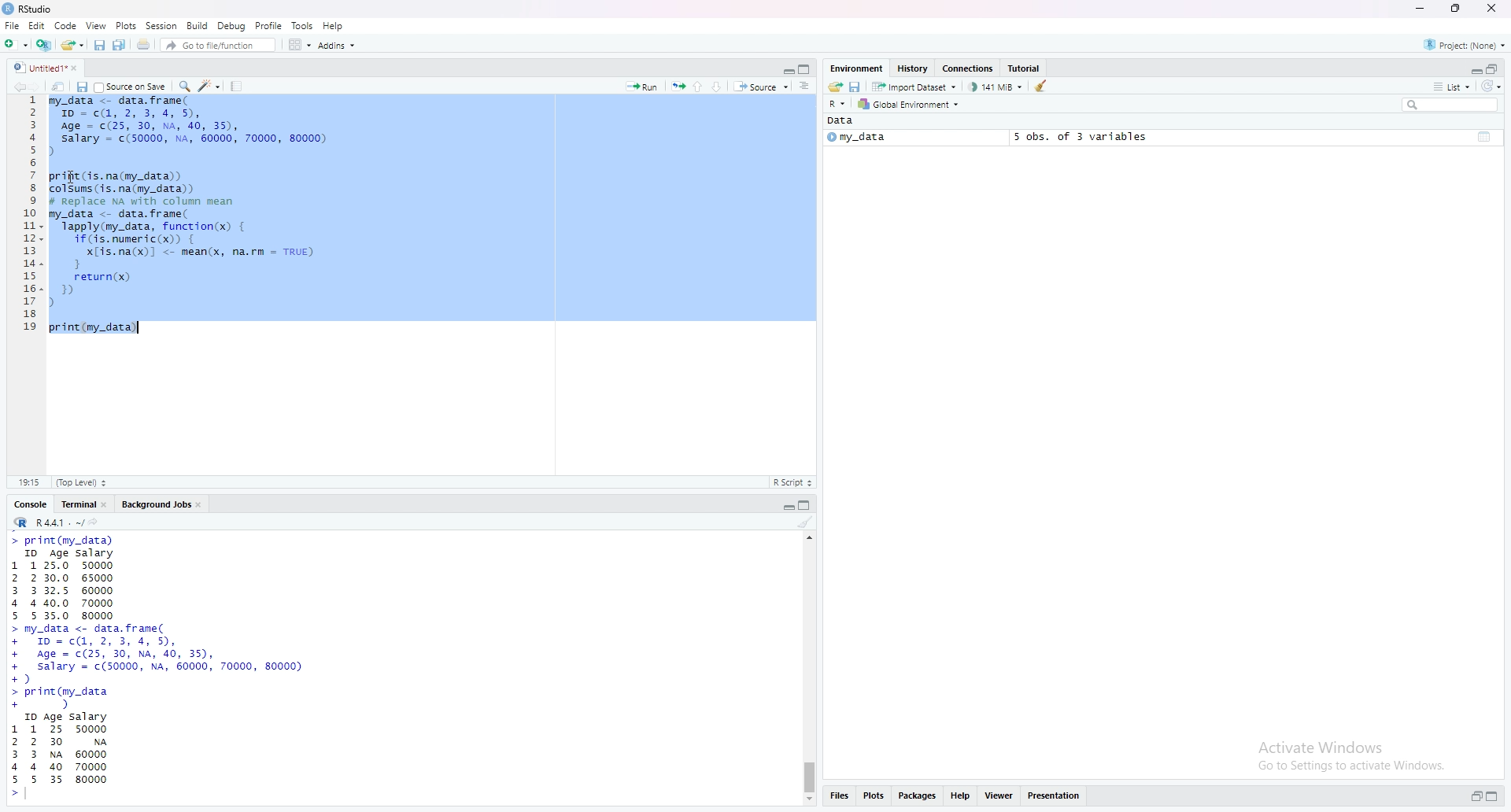  What do you see at coordinates (841, 121) in the screenshot?
I see `Data` at bounding box center [841, 121].